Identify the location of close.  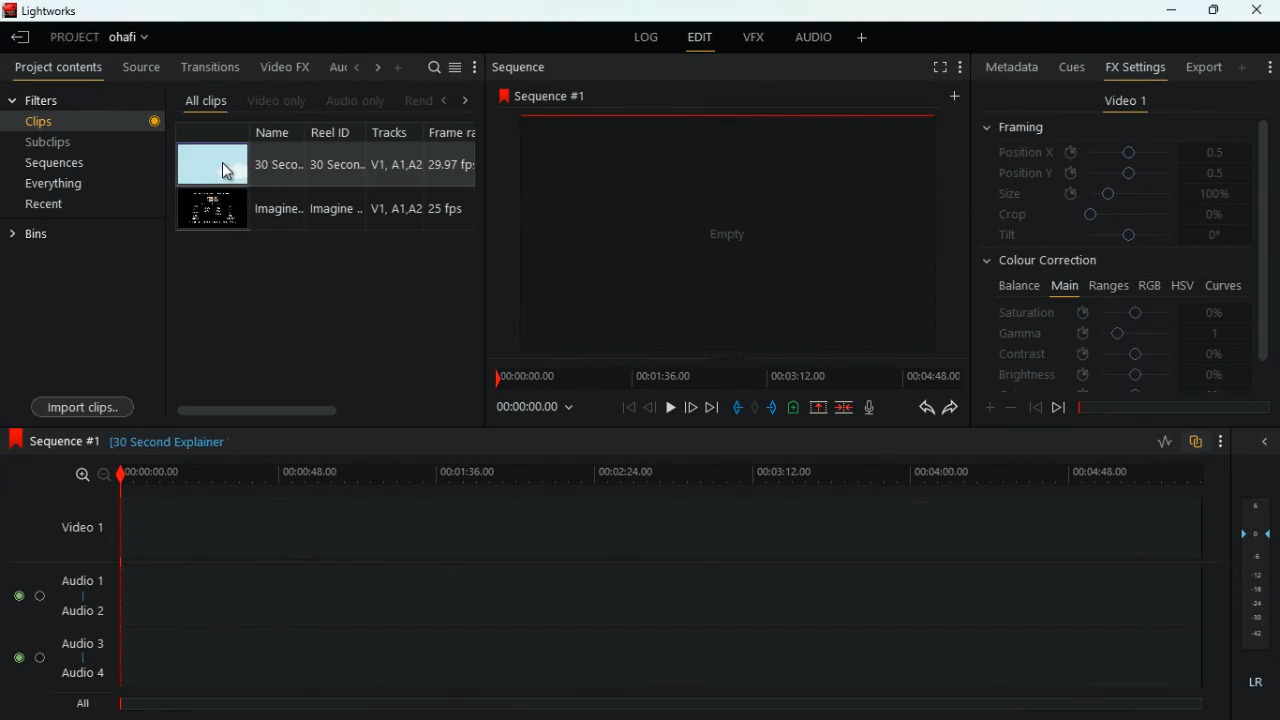
(1259, 10).